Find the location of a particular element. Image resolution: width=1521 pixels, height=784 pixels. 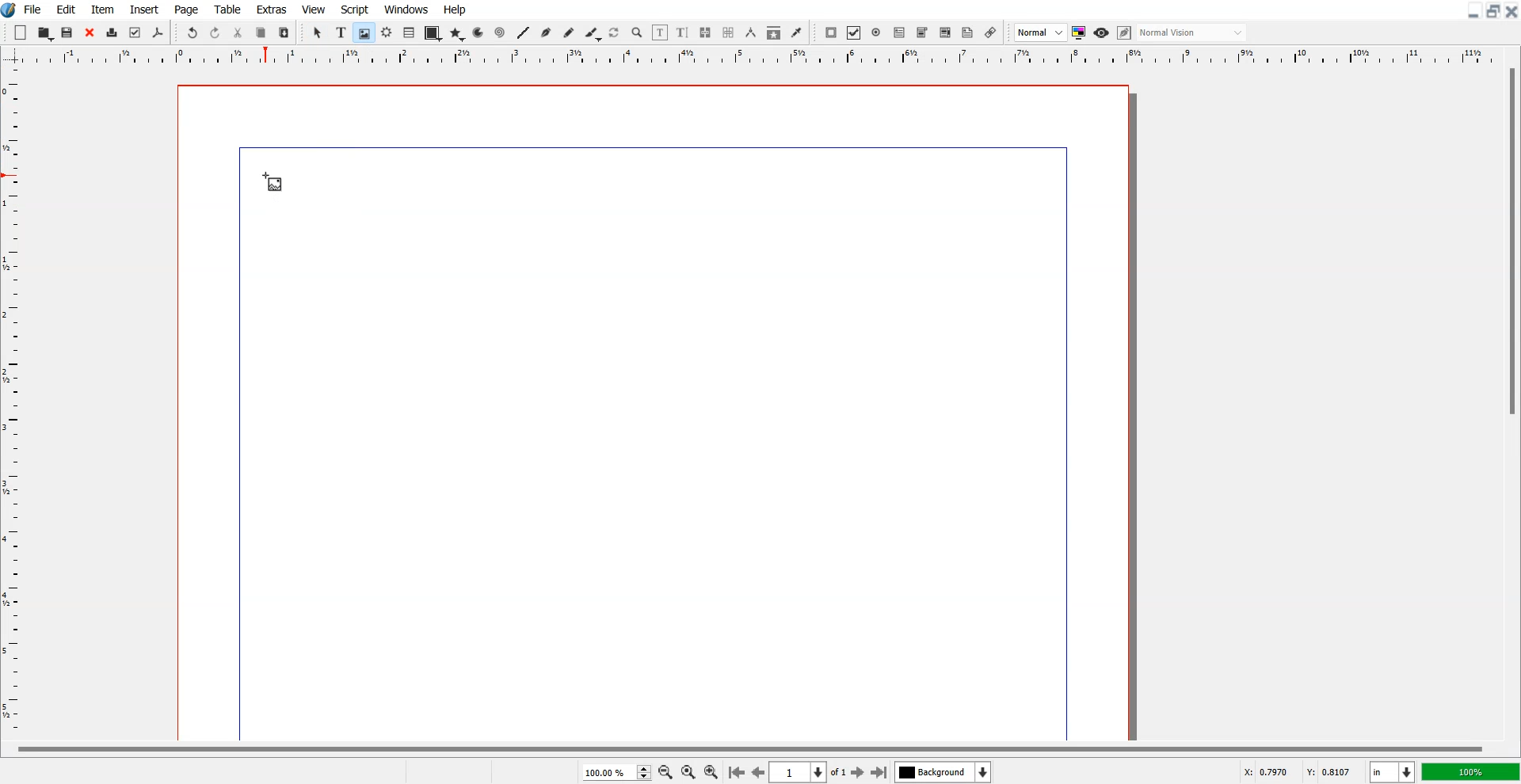

Arc is located at coordinates (479, 32).